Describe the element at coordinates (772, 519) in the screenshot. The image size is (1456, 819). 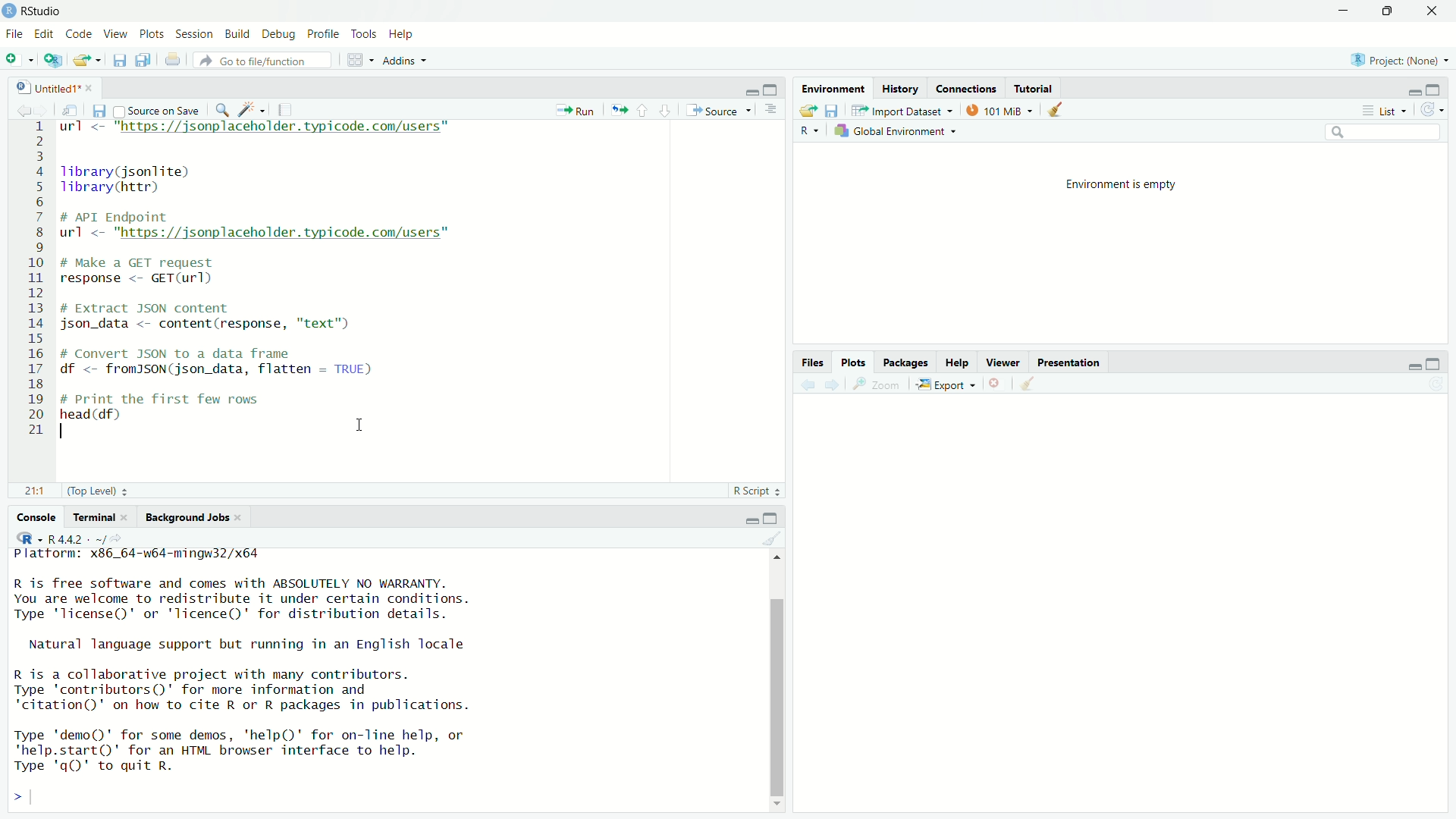
I see `Maximize` at that location.